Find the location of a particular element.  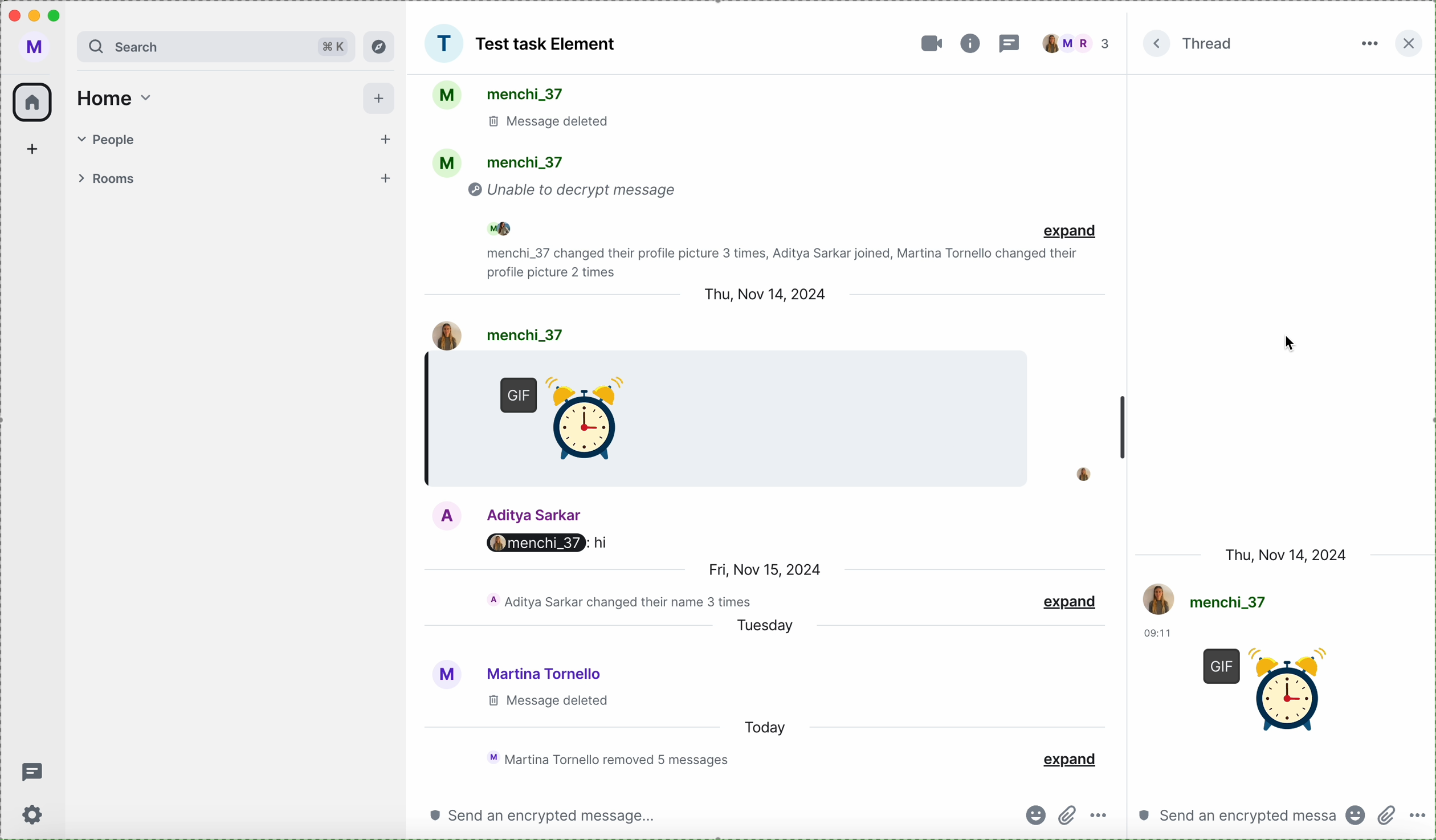

picture group is located at coordinates (443, 43).